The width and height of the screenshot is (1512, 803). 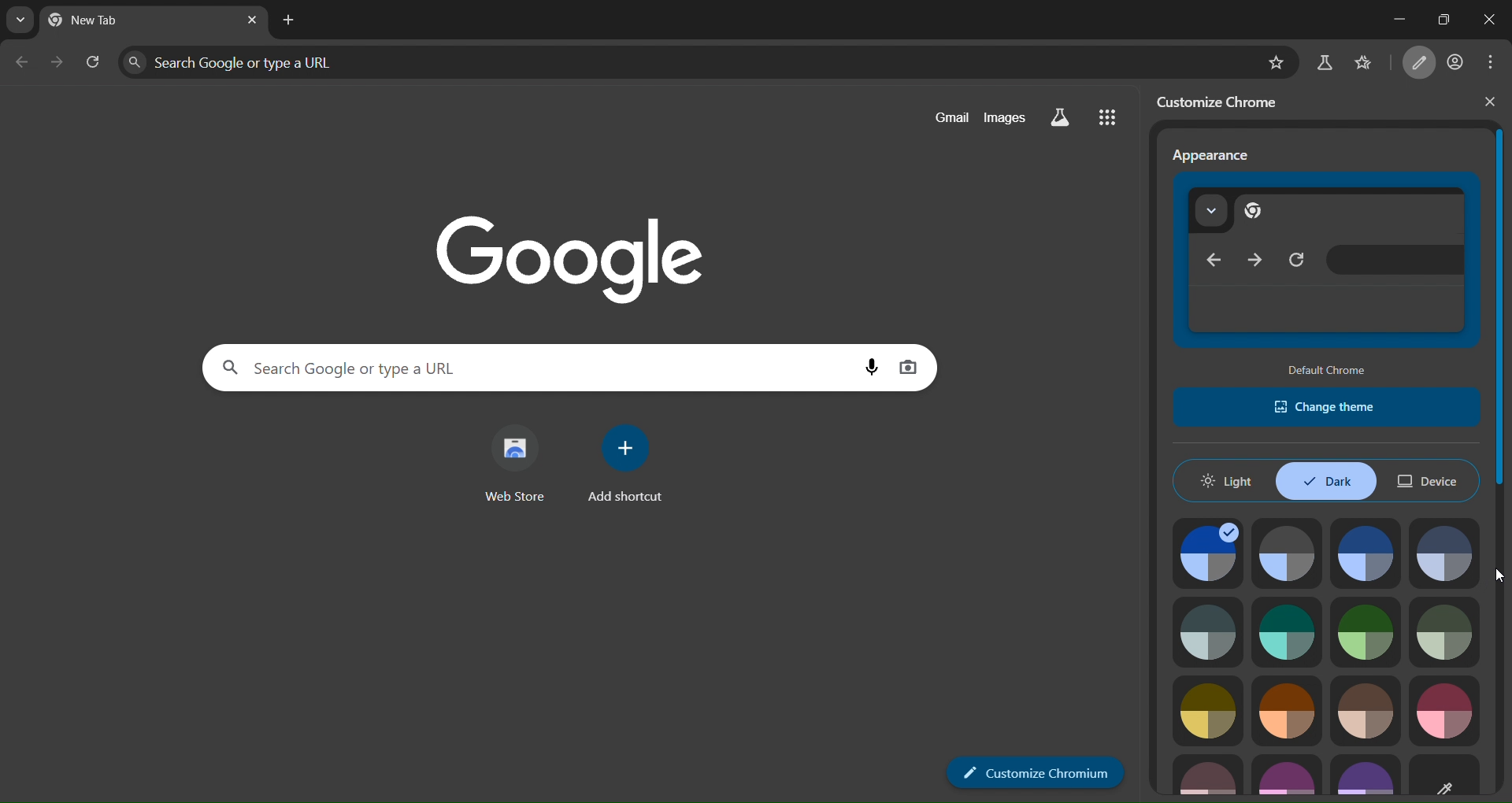 What do you see at coordinates (1373, 61) in the screenshot?
I see `bookmarks` at bounding box center [1373, 61].